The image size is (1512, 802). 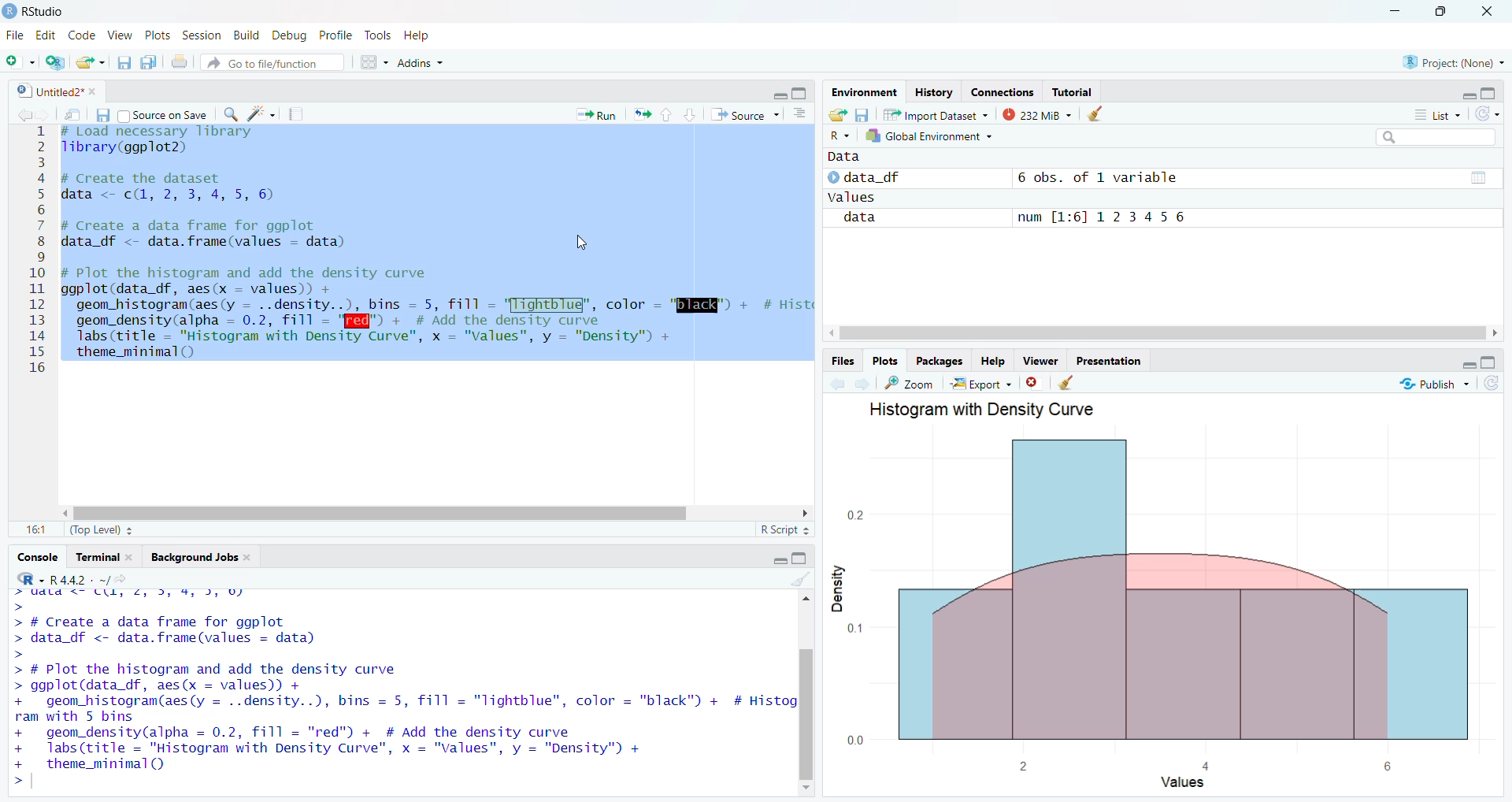 What do you see at coordinates (581, 239) in the screenshot?
I see `cursor` at bounding box center [581, 239].